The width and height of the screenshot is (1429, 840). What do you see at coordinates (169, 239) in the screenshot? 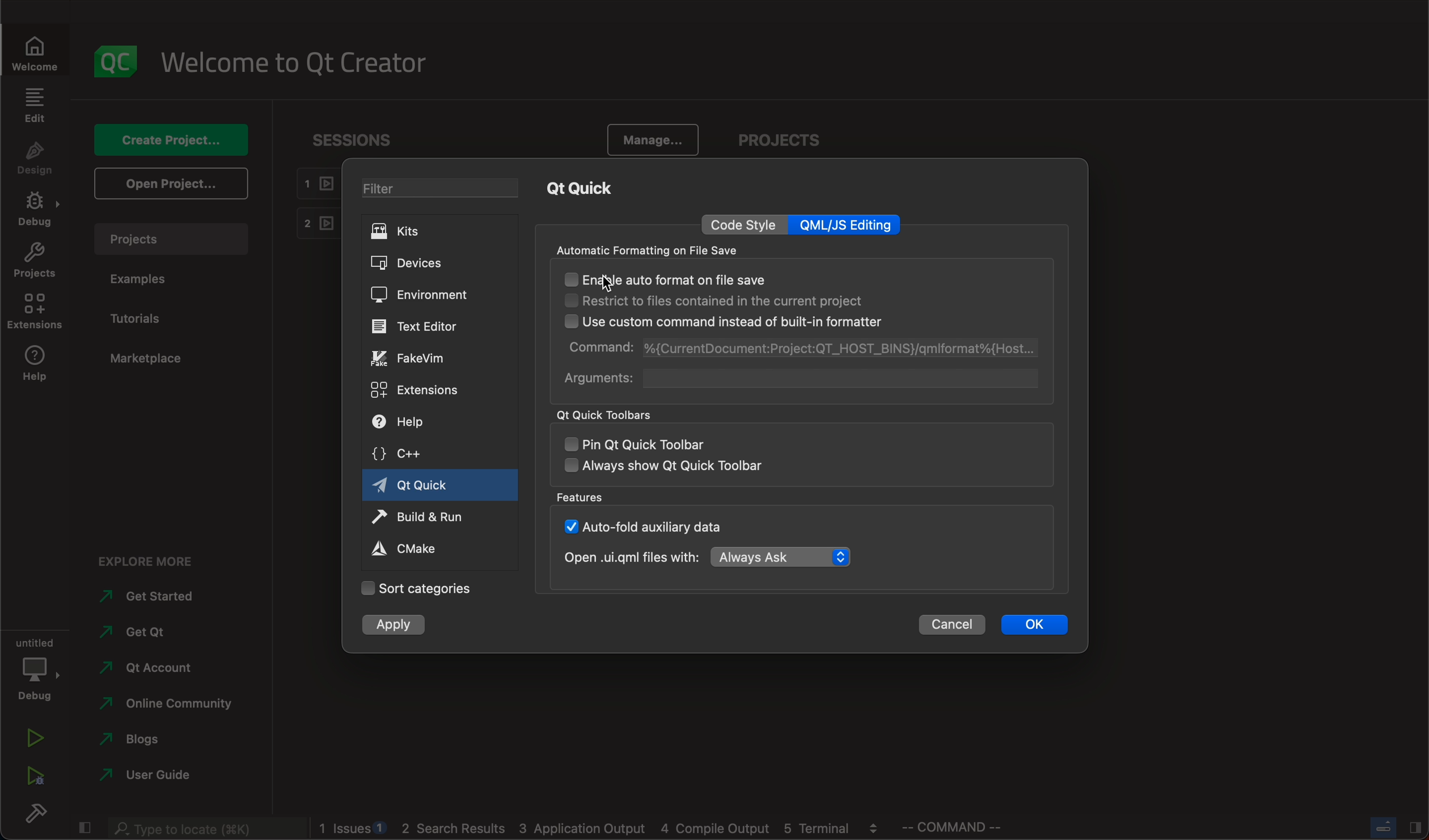
I see `projects` at bounding box center [169, 239].